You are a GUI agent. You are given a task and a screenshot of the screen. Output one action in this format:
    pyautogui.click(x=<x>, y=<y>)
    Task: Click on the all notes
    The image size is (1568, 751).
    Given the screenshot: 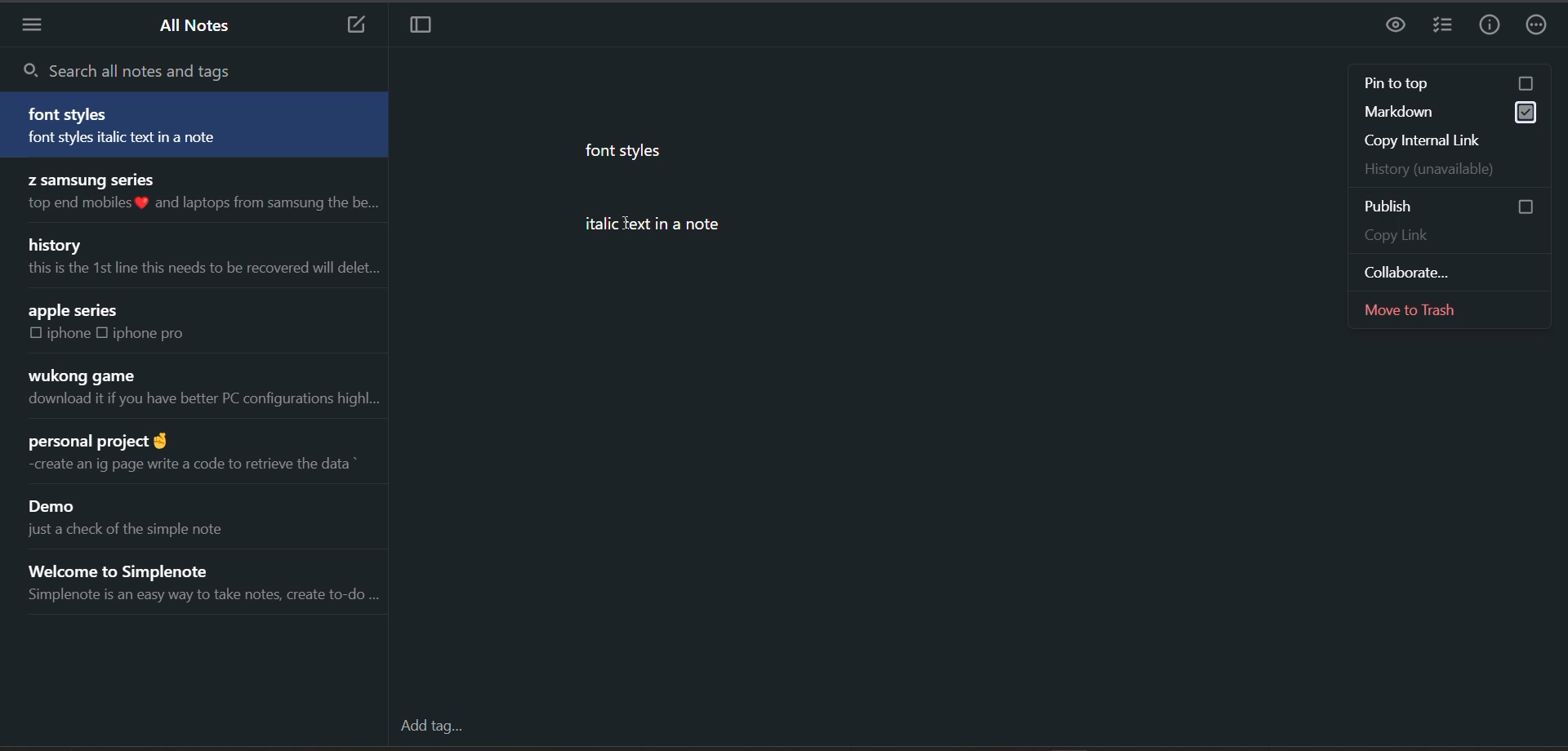 What is the action you would take?
    pyautogui.click(x=199, y=29)
    